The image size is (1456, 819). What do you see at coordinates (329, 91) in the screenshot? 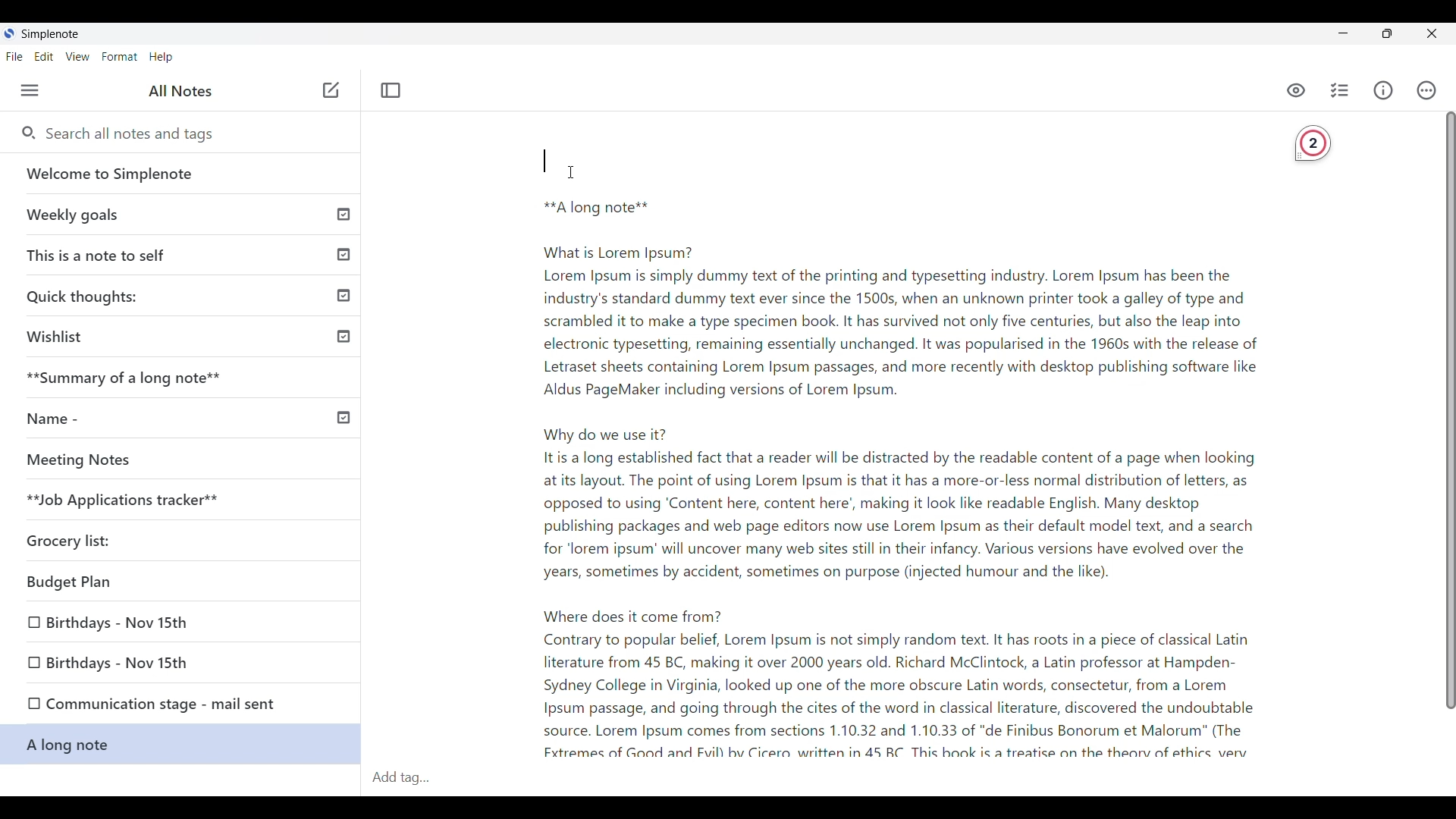
I see `Add note` at bounding box center [329, 91].